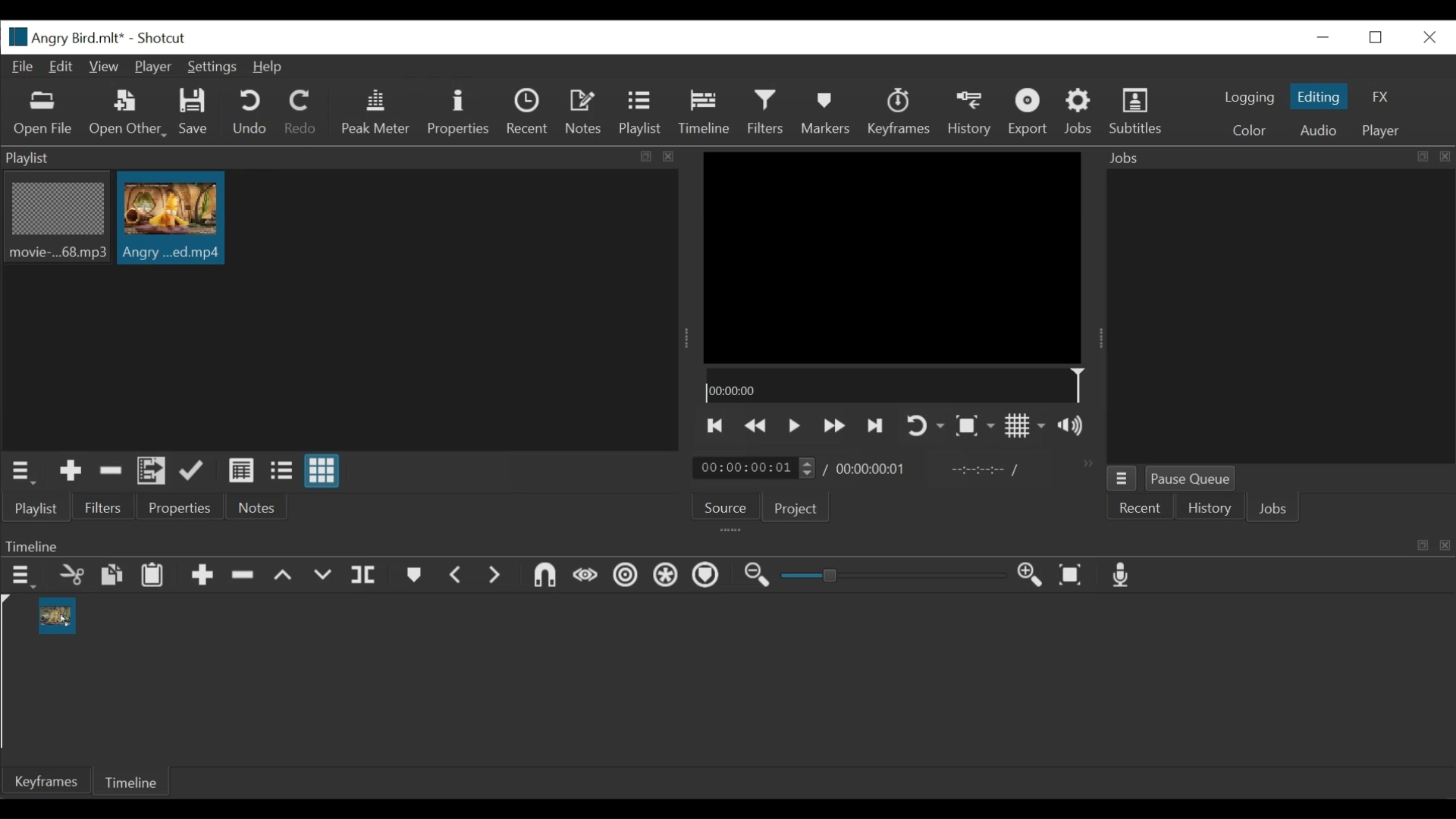  I want to click on Ripple Delete, so click(243, 576).